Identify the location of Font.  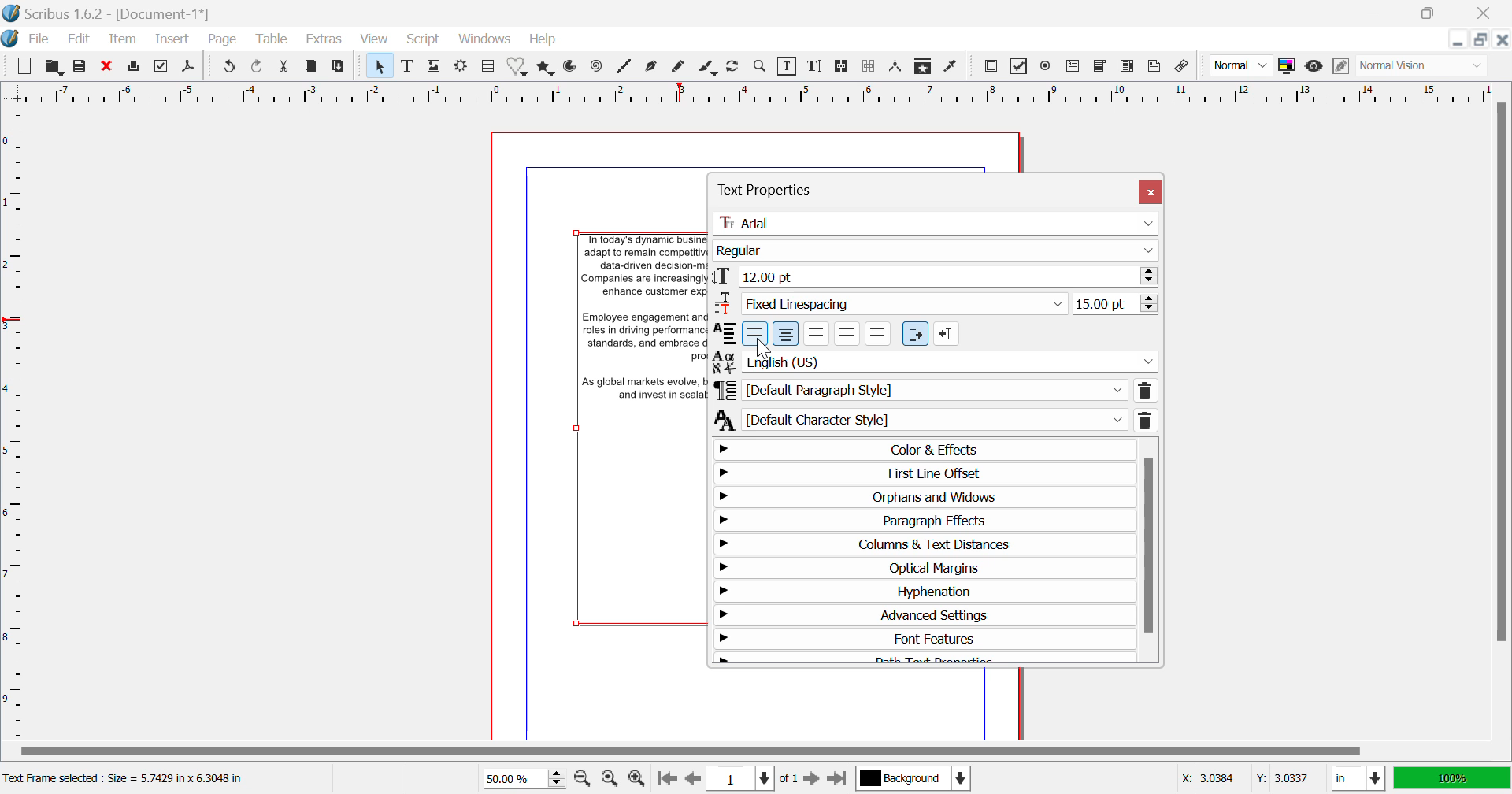
(935, 224).